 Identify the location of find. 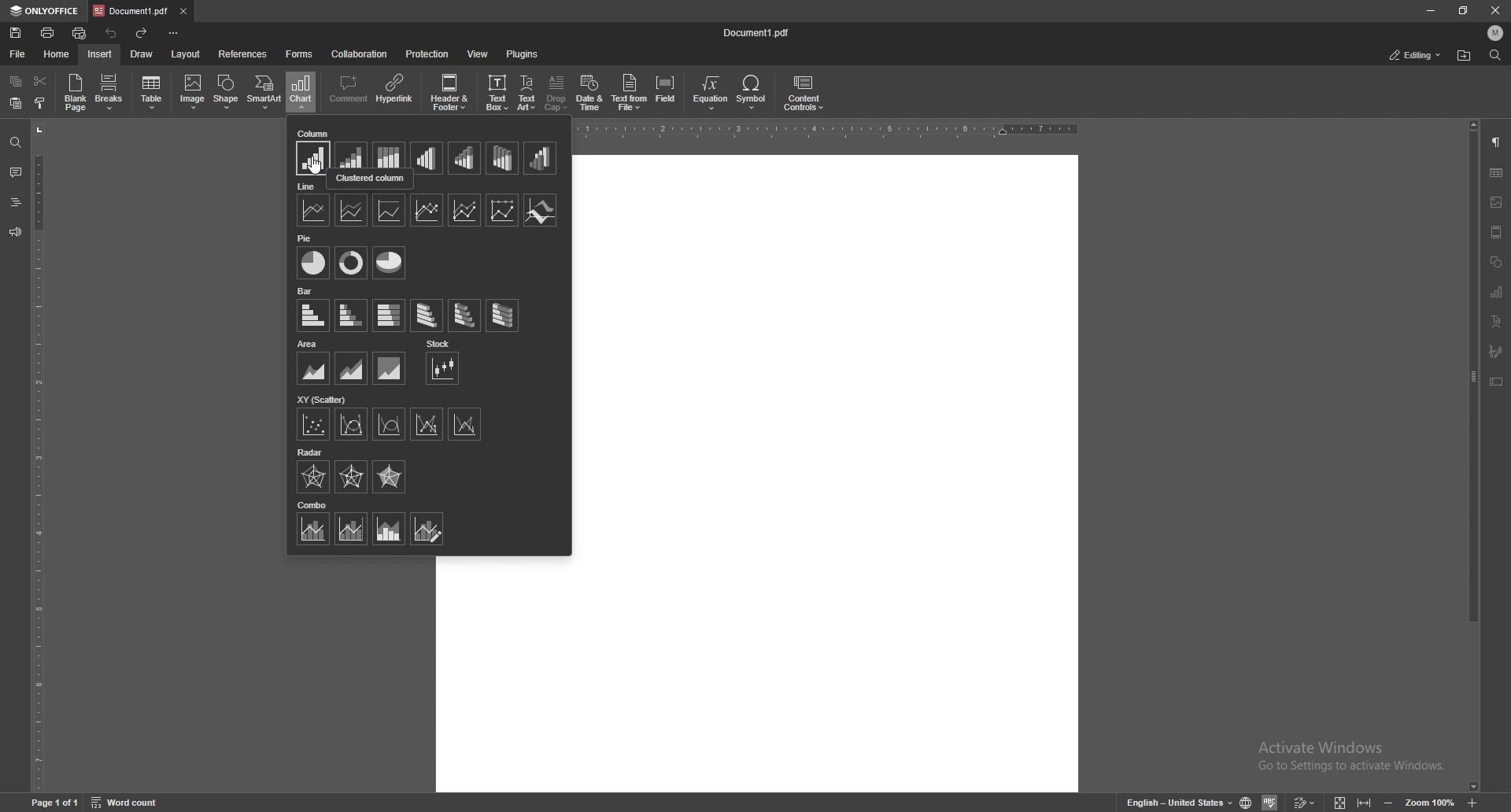
(1496, 56).